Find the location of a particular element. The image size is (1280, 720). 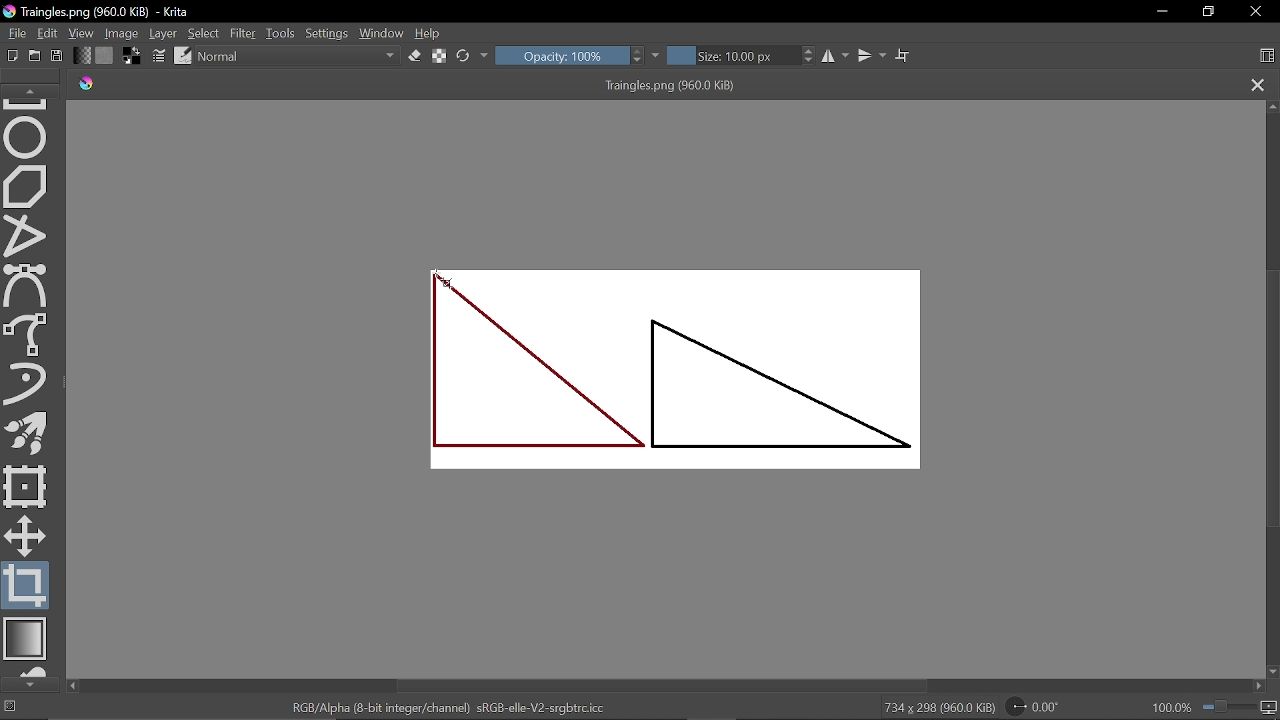

Crop tool is located at coordinates (26, 586).